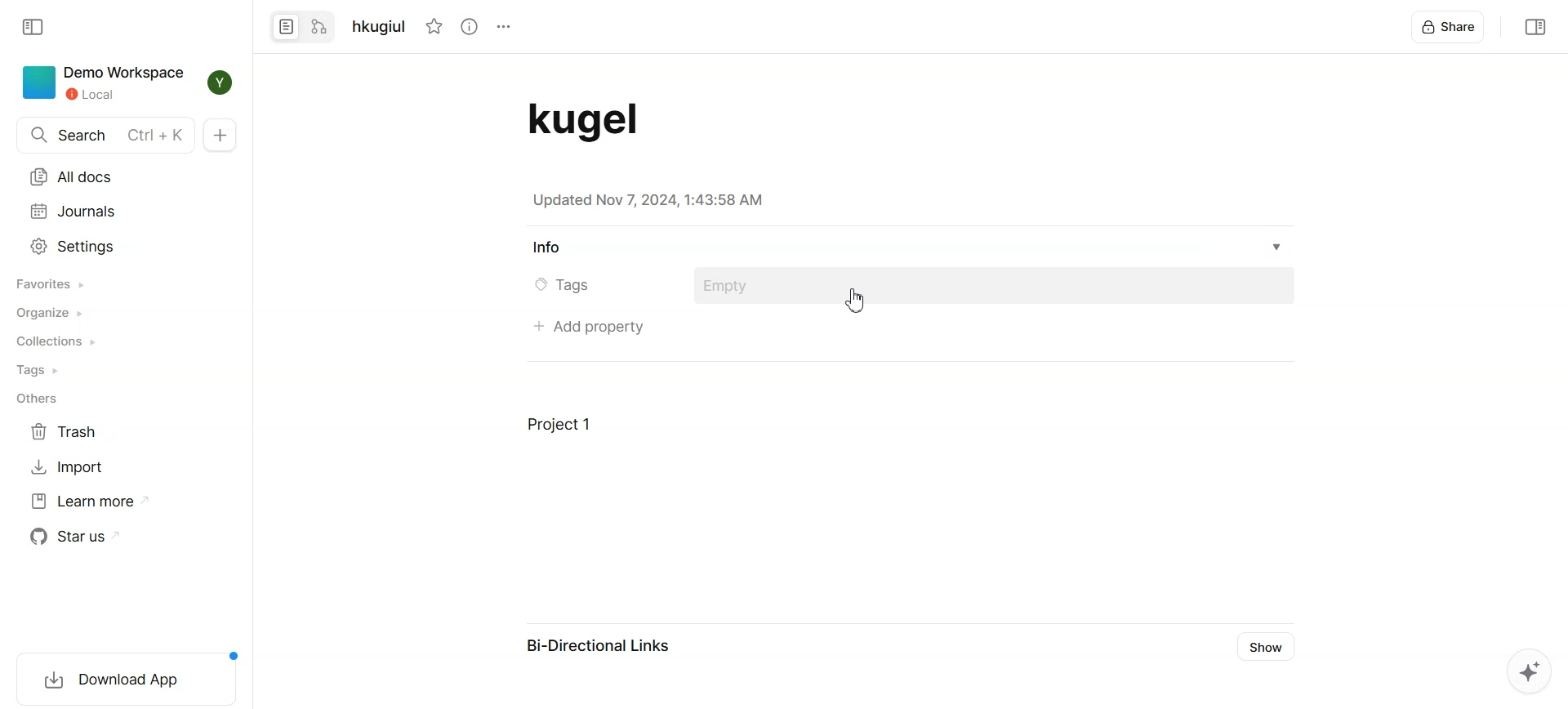 This screenshot has height=709, width=1568. I want to click on cursor, so click(857, 301).